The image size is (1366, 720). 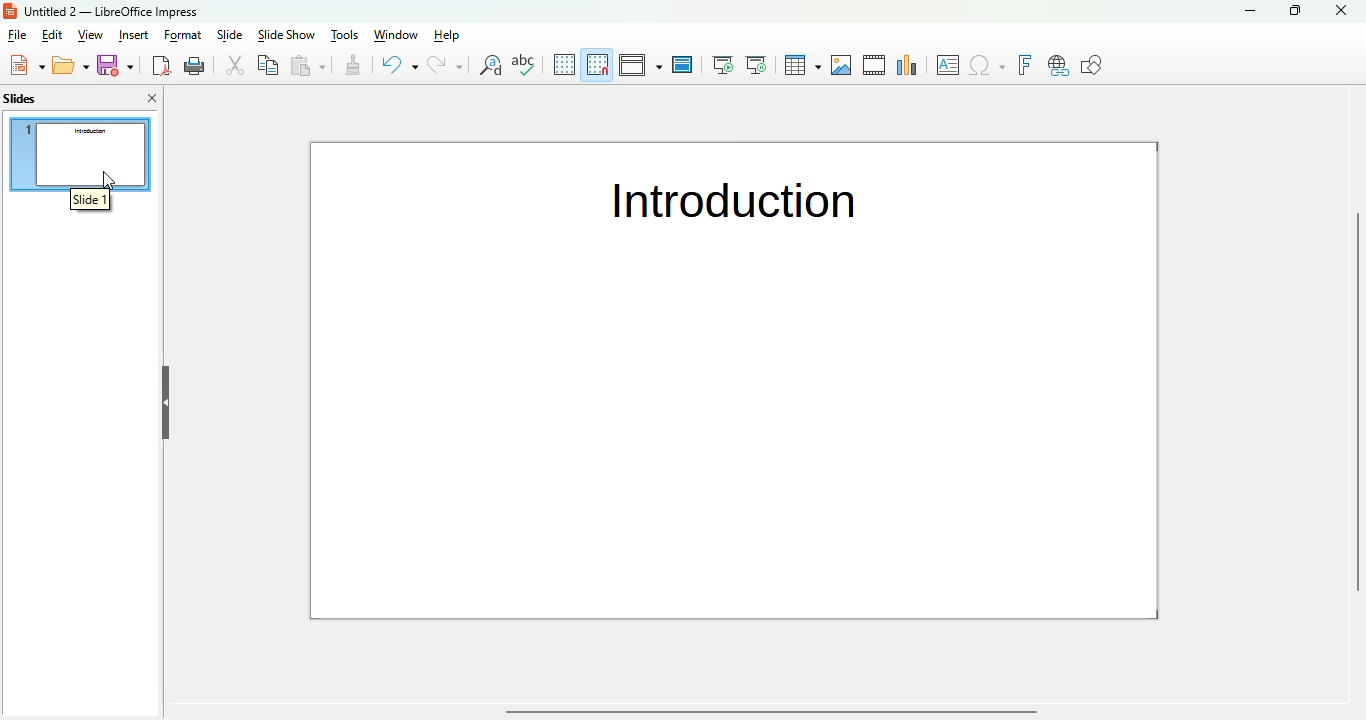 What do you see at coordinates (771, 712) in the screenshot?
I see `horizontal scroll bar` at bounding box center [771, 712].